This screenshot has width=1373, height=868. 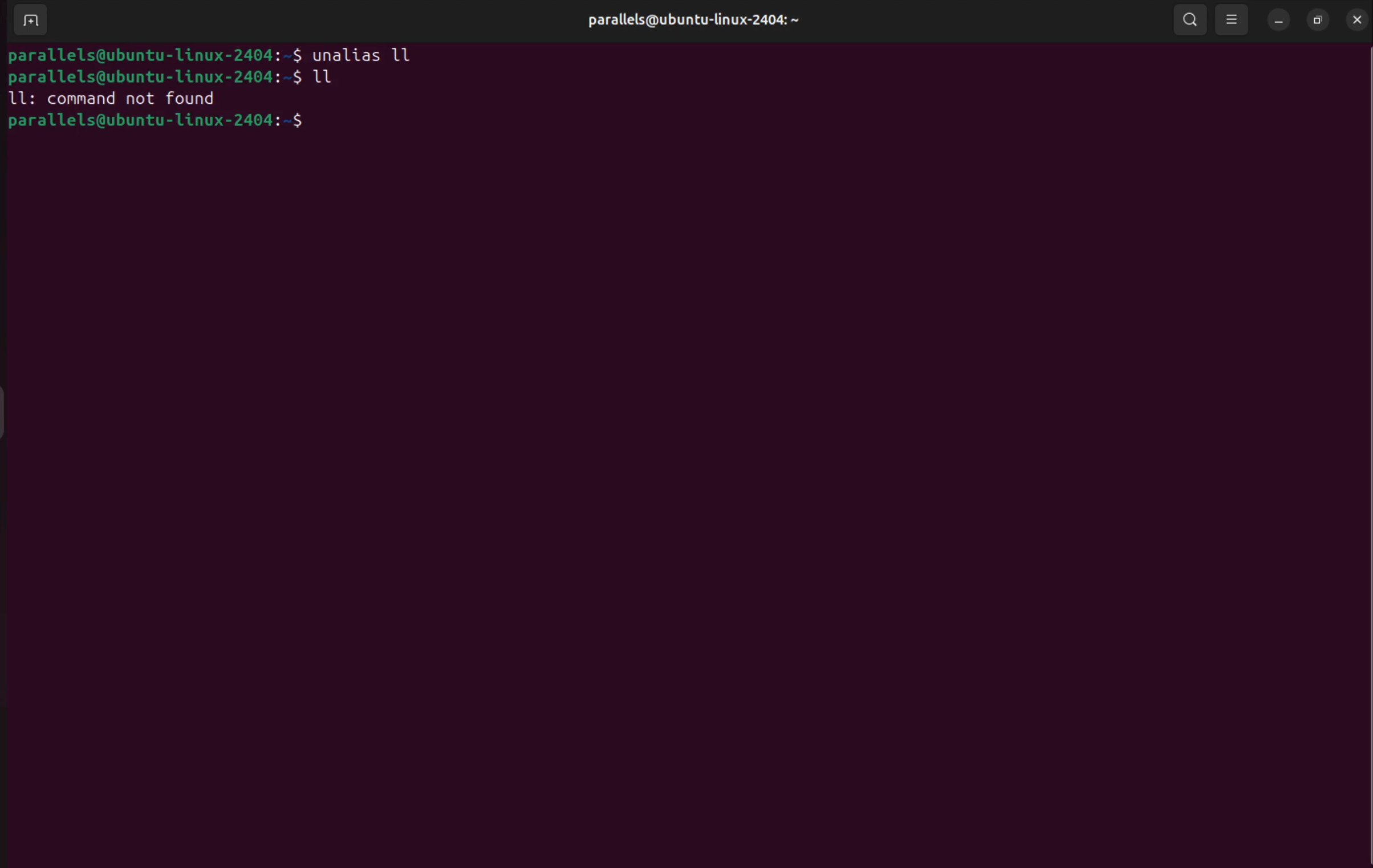 I want to click on add terminal, so click(x=27, y=22).